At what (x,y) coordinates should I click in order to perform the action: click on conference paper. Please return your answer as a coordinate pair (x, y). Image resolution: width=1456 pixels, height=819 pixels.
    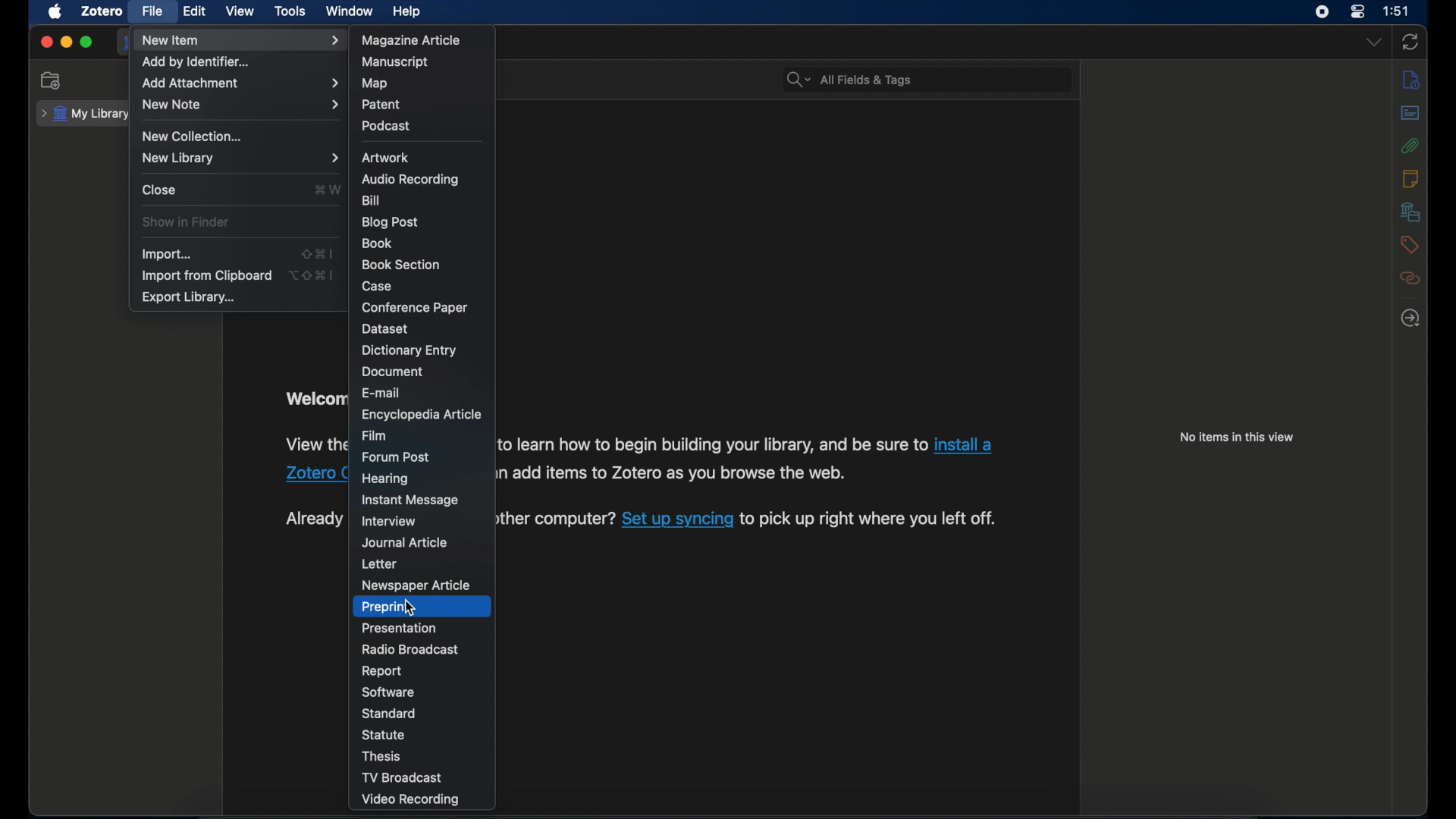
    Looking at the image, I should click on (414, 309).